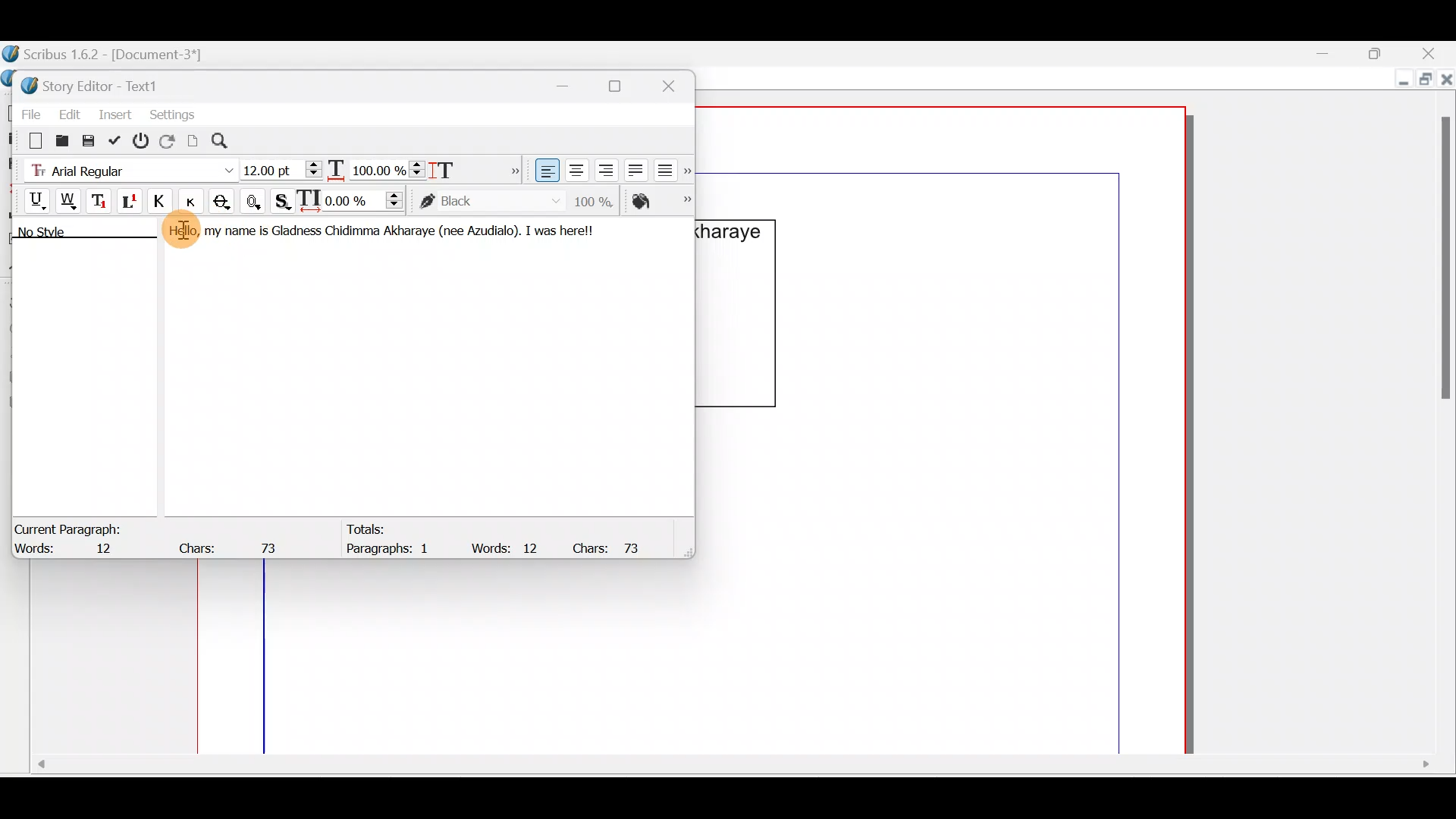 This screenshot has height=819, width=1456. What do you see at coordinates (235, 234) in the screenshot?
I see `my name is` at bounding box center [235, 234].